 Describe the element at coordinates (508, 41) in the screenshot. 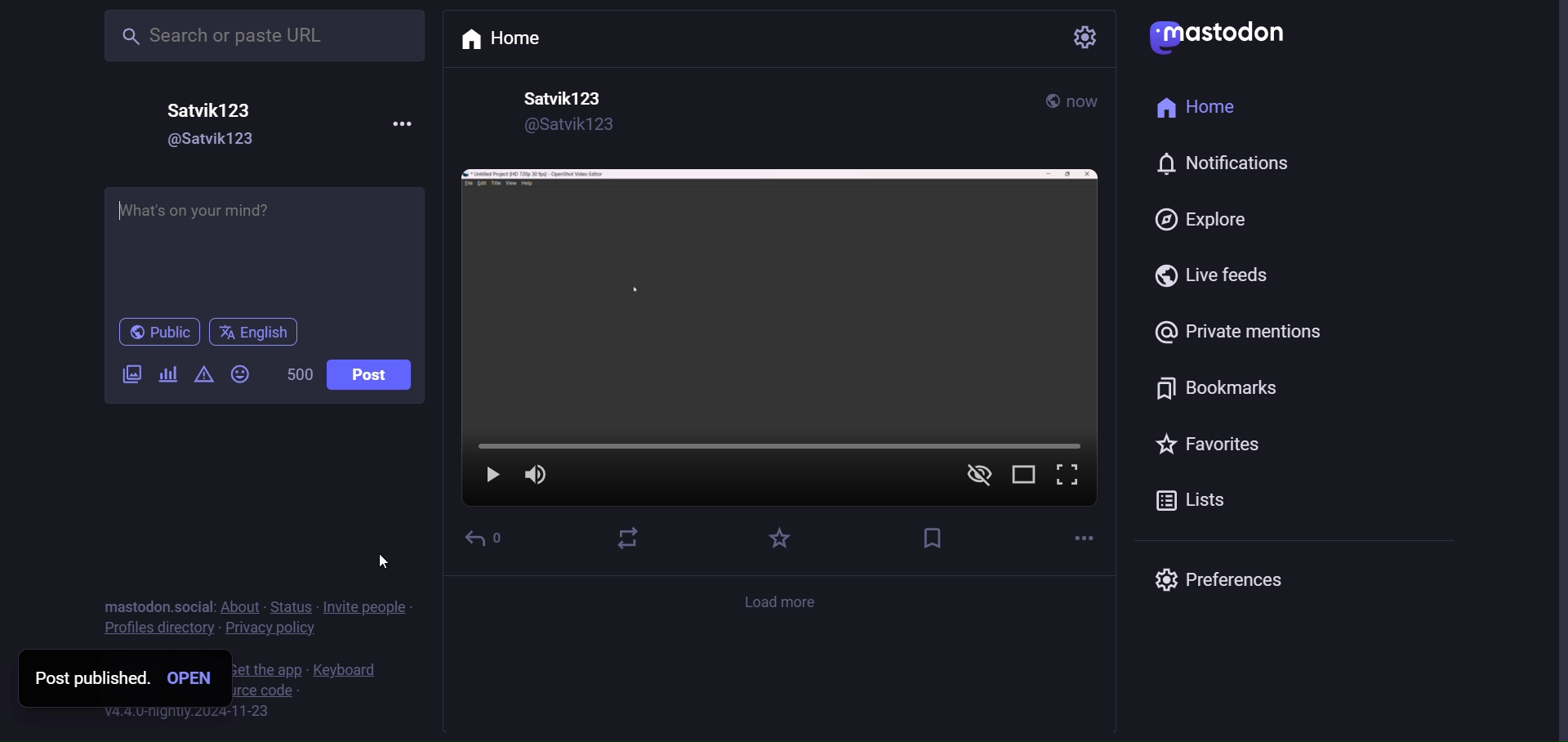

I see `home` at that location.